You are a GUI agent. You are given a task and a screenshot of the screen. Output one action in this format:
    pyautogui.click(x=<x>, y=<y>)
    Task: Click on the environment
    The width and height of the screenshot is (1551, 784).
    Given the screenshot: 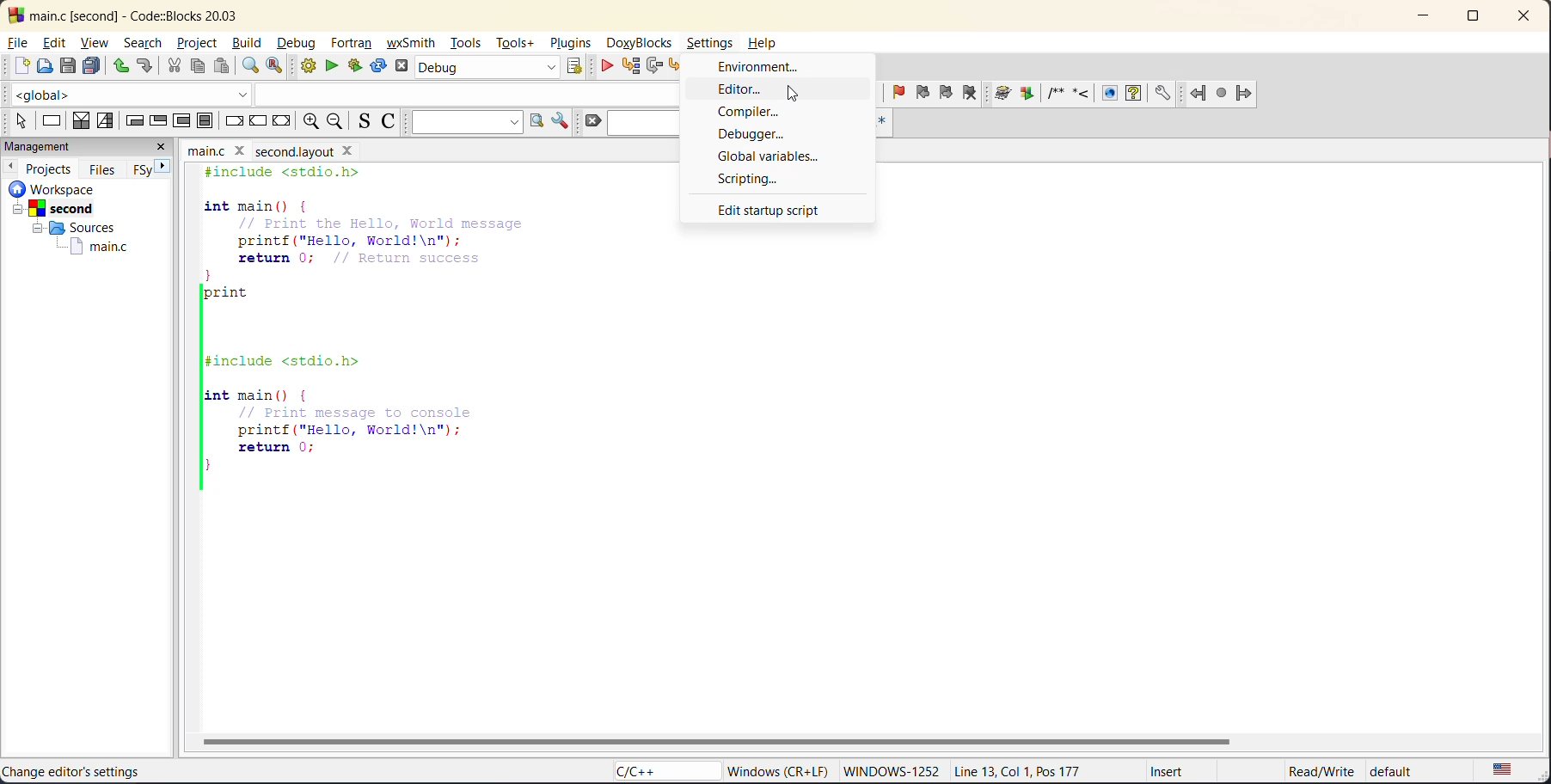 What is the action you would take?
    pyautogui.click(x=758, y=66)
    